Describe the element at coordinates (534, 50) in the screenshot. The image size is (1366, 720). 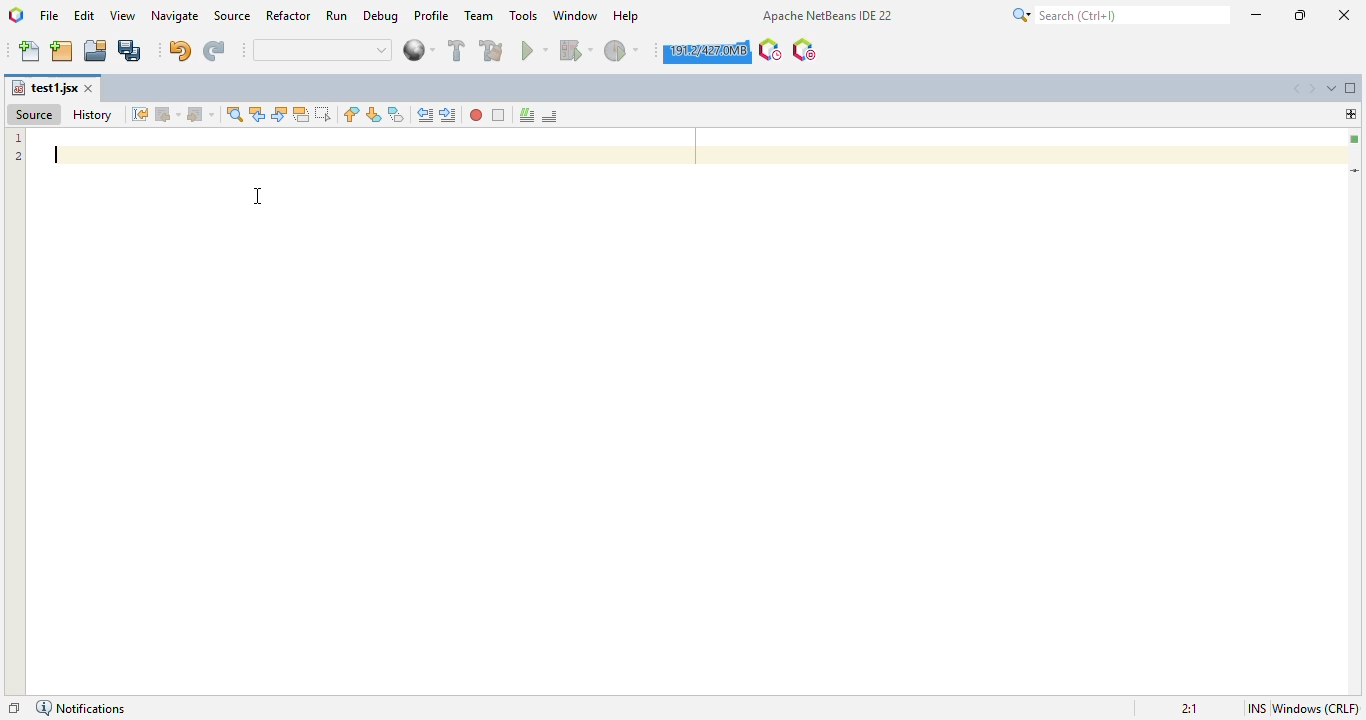
I see `run project` at that location.